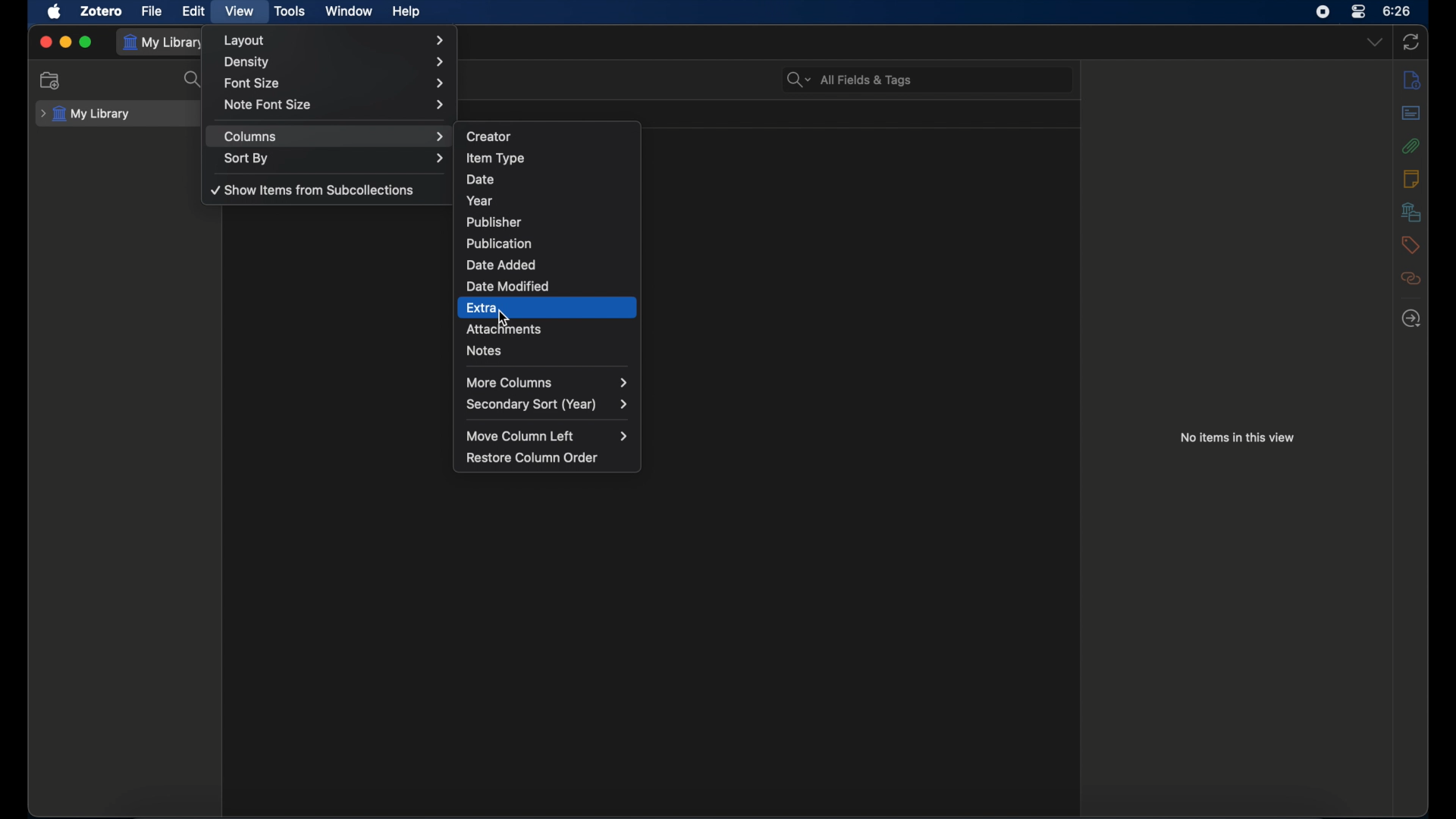 The image size is (1456, 819). Describe the element at coordinates (550, 178) in the screenshot. I see `date` at that location.